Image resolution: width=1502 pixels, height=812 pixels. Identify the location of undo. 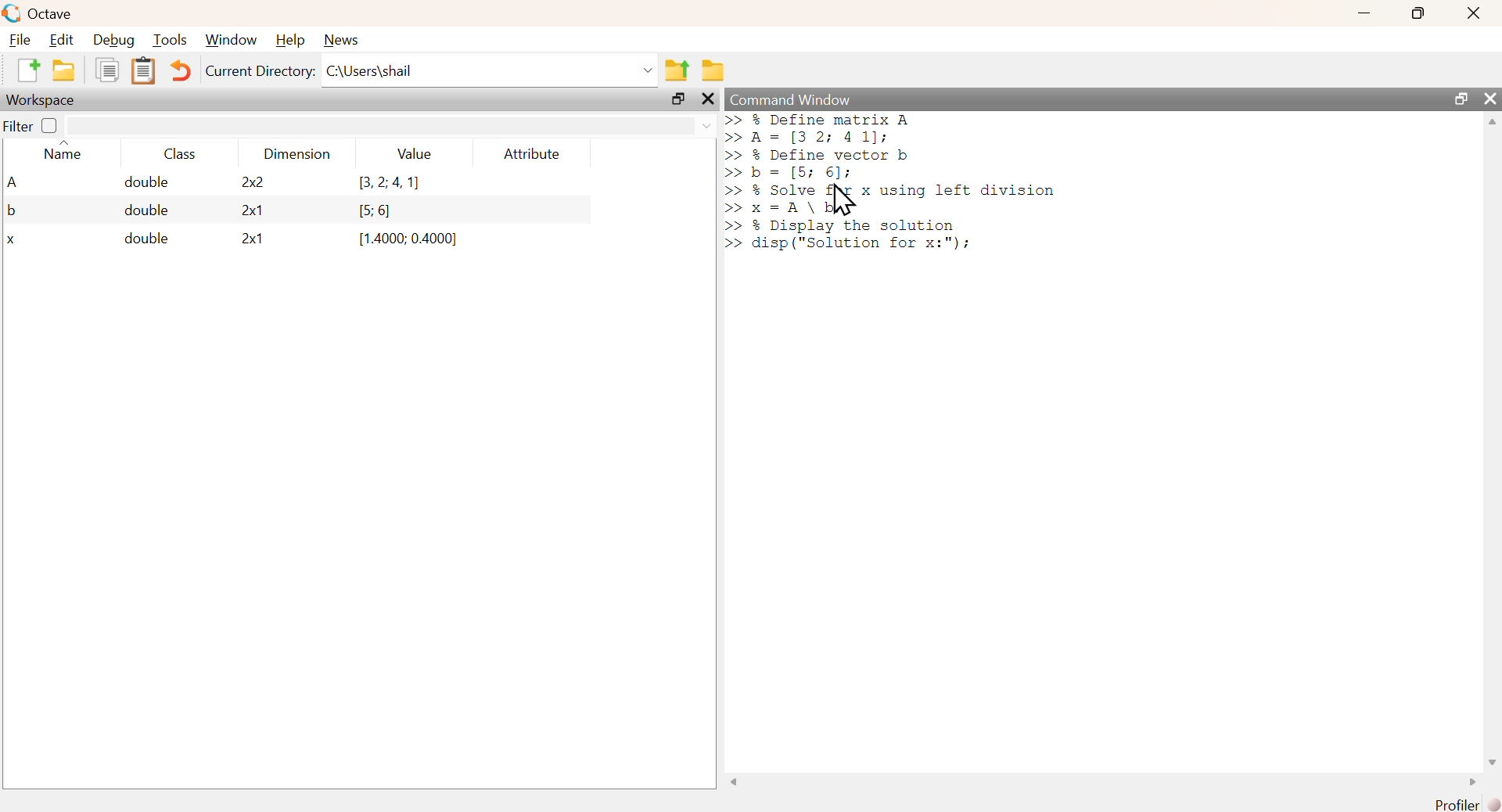
(182, 70).